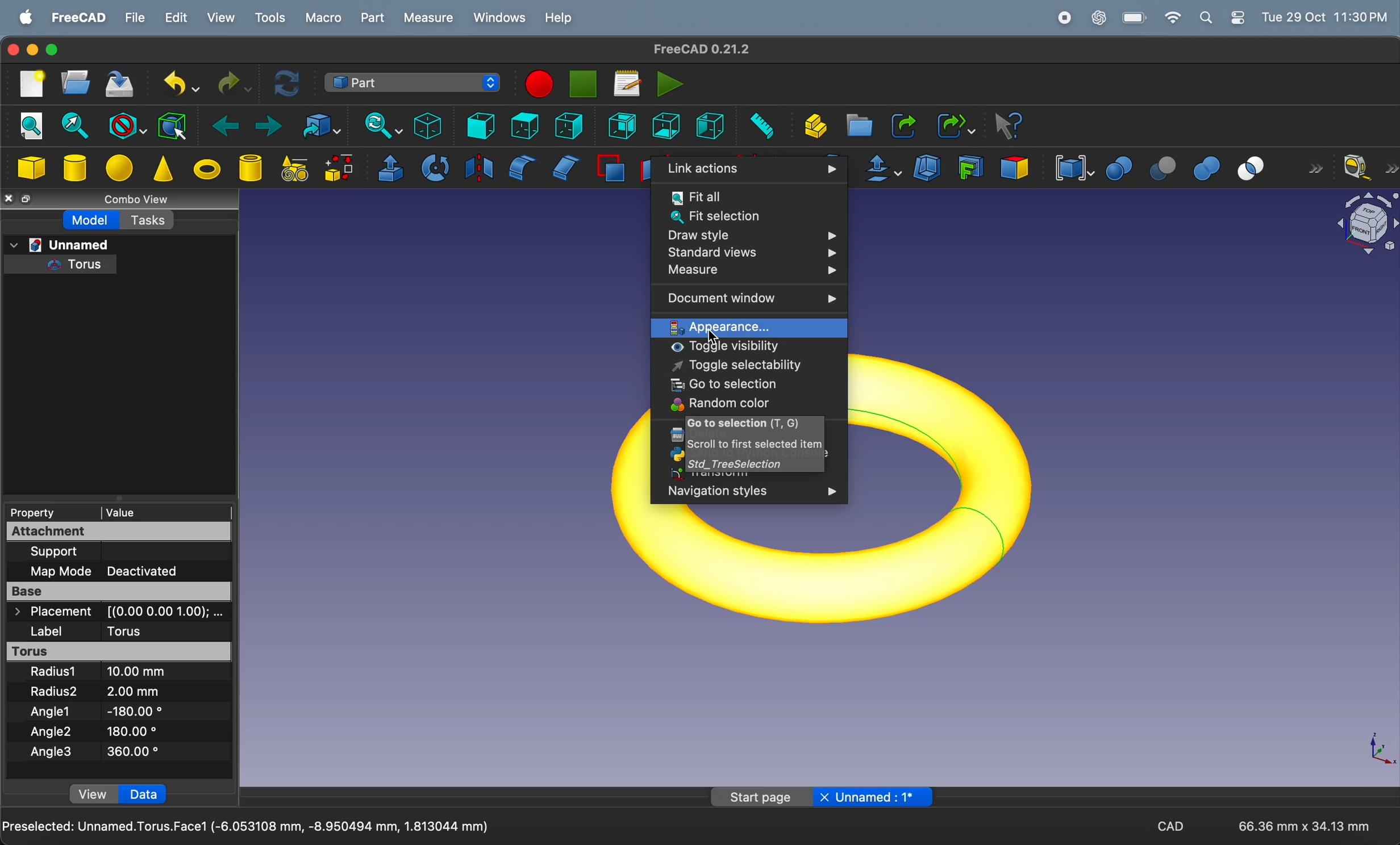 The height and width of the screenshot is (845, 1400). Describe the element at coordinates (710, 127) in the screenshot. I see `left view` at that location.